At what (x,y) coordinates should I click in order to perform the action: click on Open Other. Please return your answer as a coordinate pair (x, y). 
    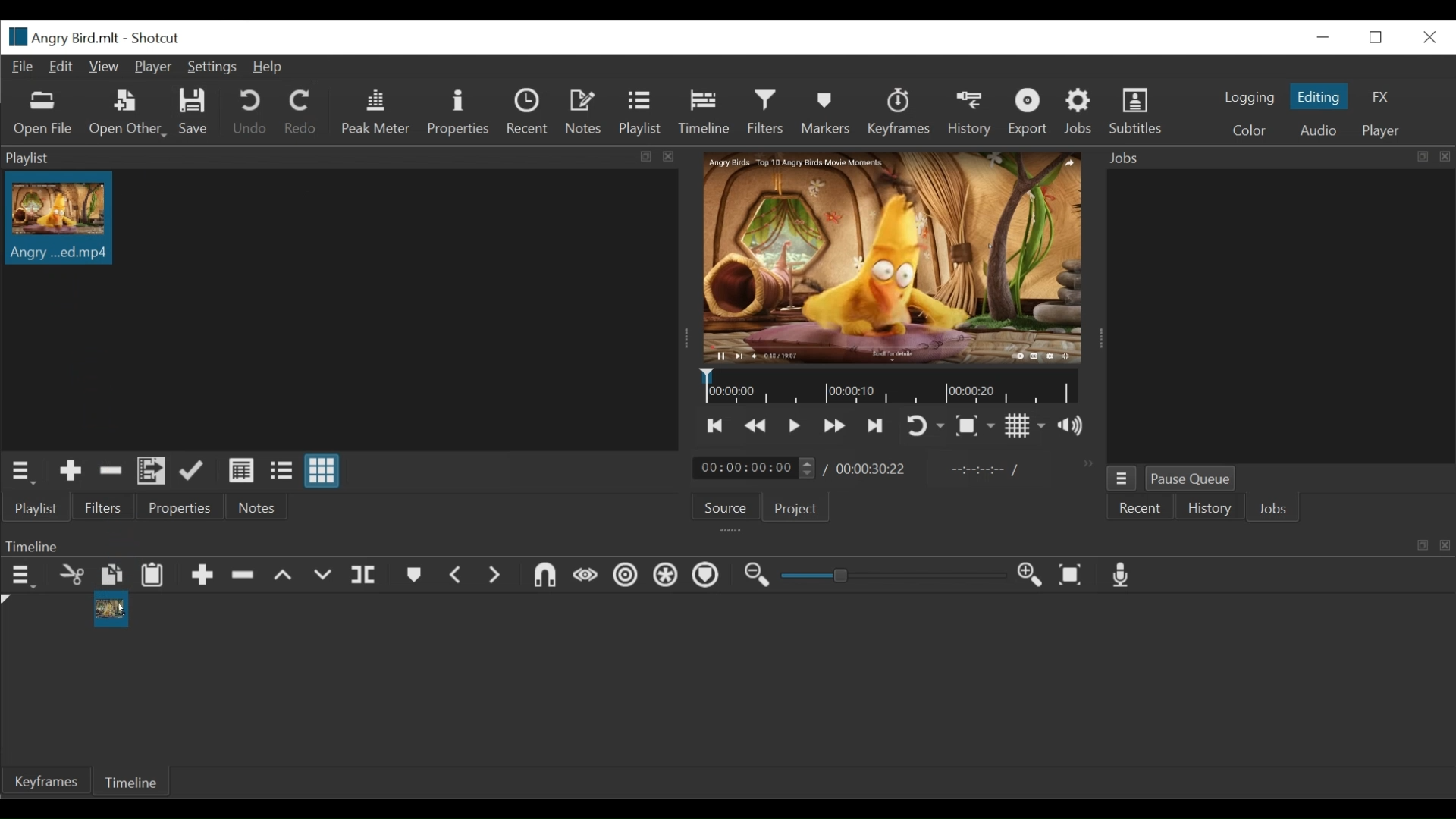
    Looking at the image, I should click on (128, 115).